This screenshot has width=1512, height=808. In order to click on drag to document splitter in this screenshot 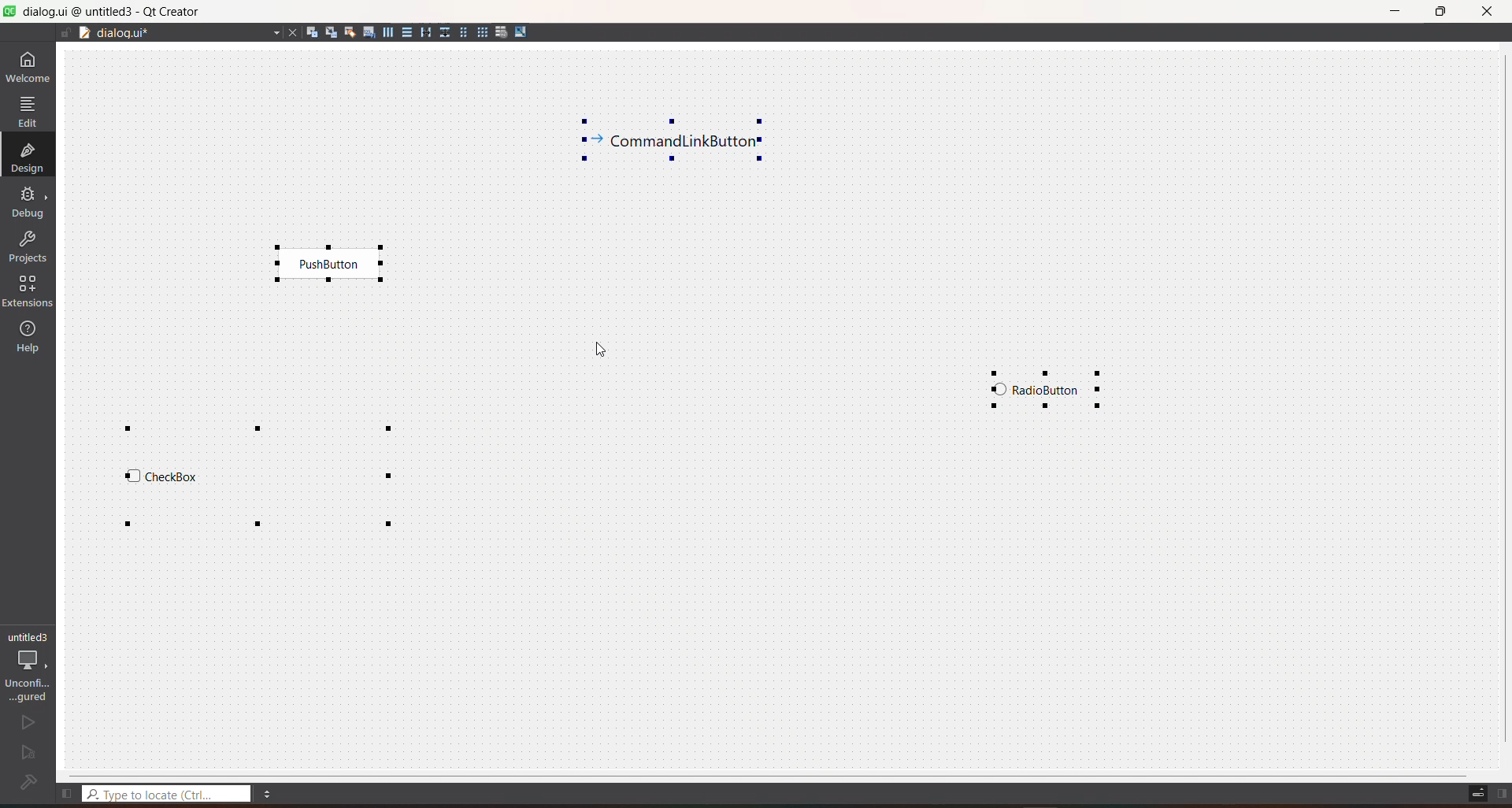, I will do `click(84, 34)`.